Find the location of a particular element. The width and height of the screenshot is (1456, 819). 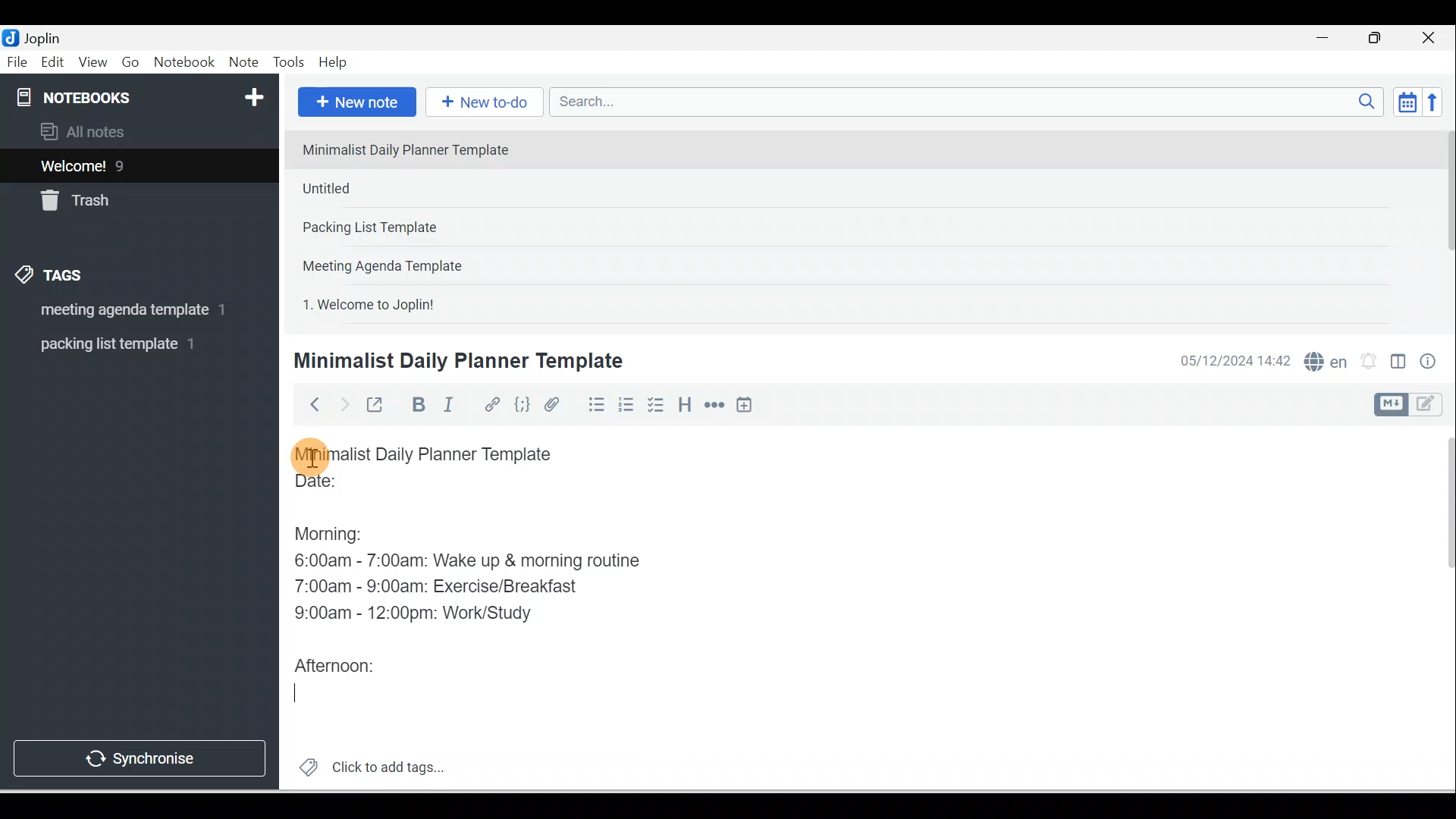

Toggle editor layout is located at coordinates (1414, 405).